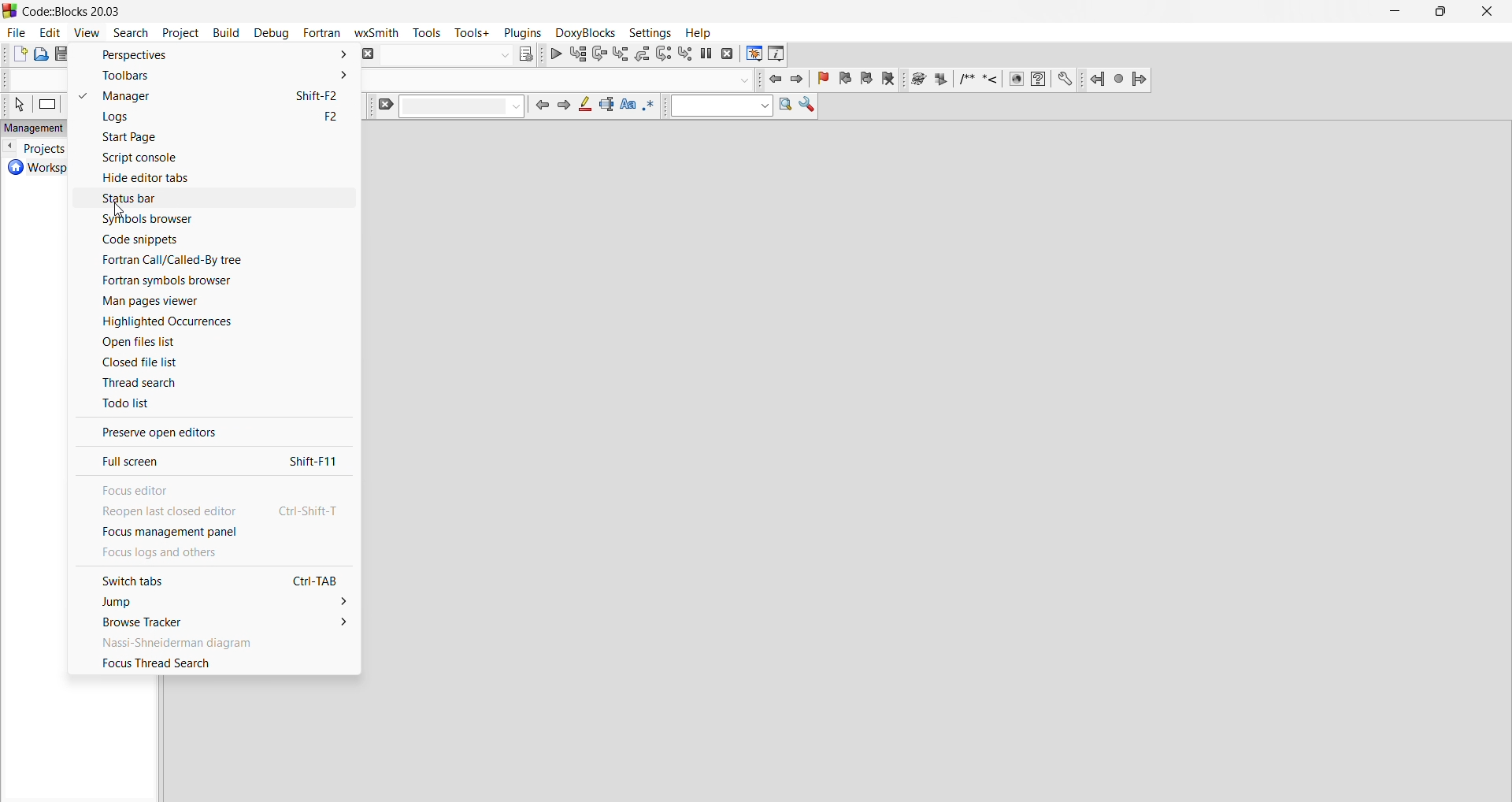 The width and height of the screenshot is (1512, 802). I want to click on debug/continue, so click(556, 58).